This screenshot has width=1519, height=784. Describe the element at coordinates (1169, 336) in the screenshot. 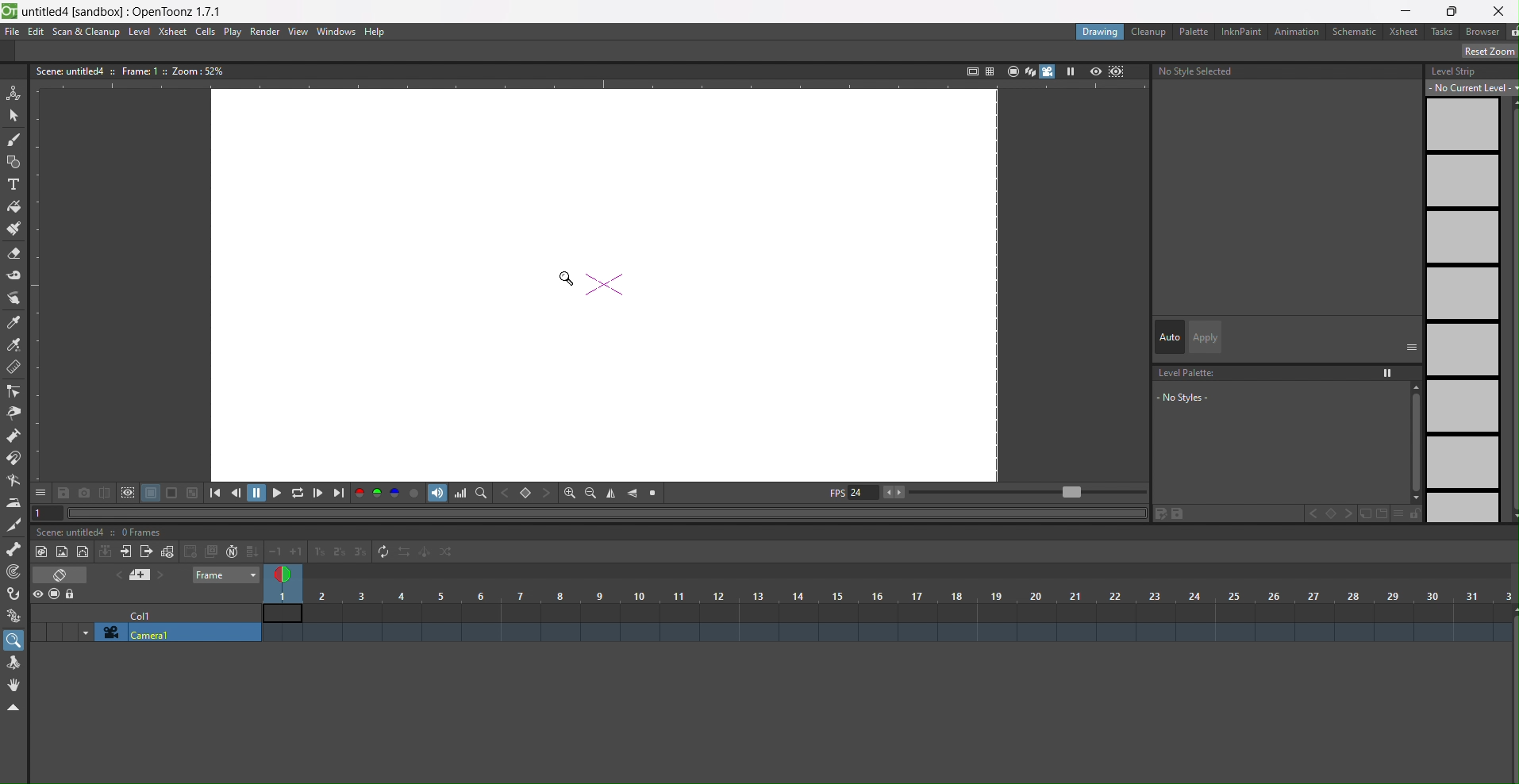

I see `auto` at that location.